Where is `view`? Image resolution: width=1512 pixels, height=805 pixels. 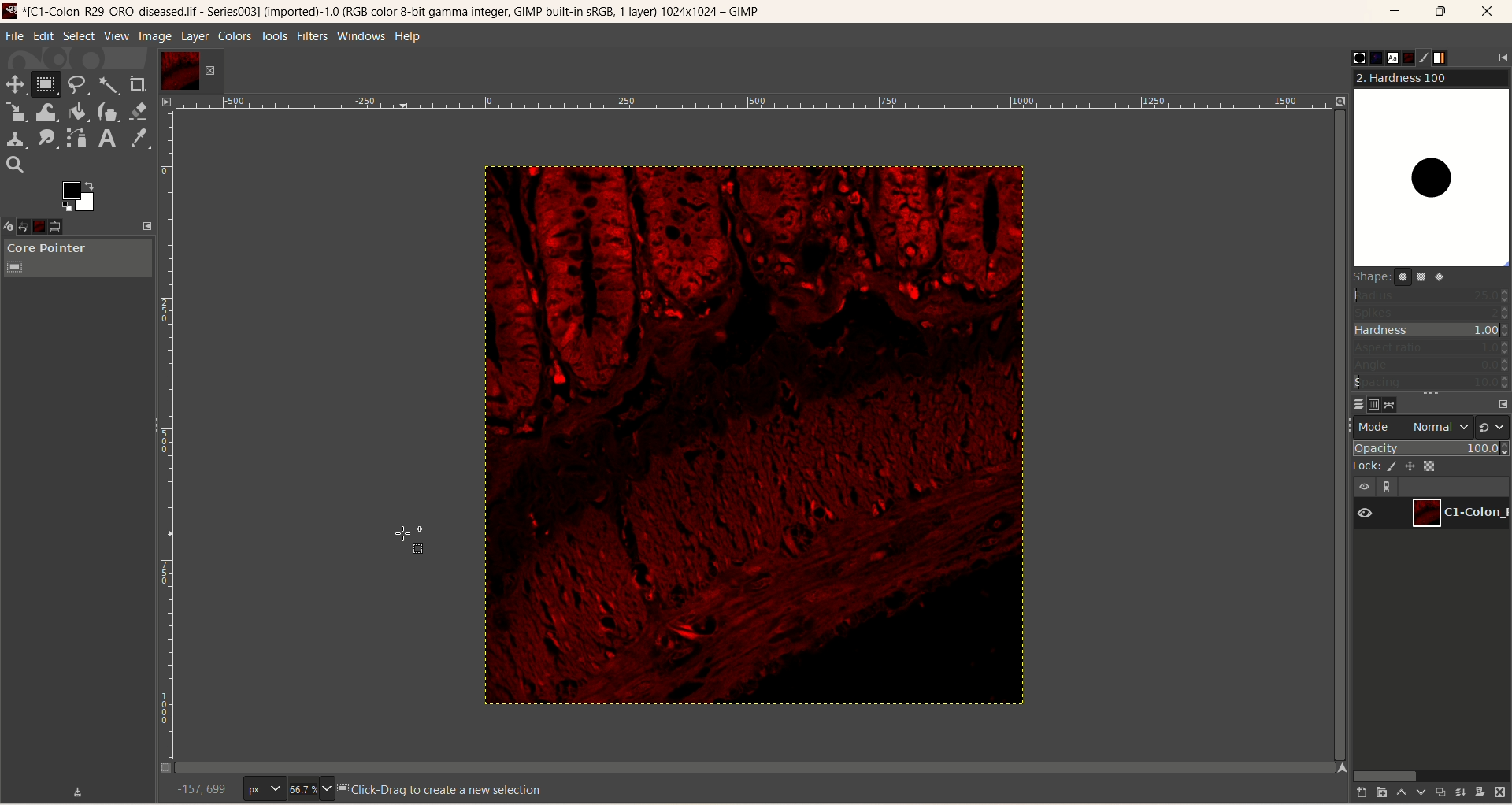 view is located at coordinates (116, 36).